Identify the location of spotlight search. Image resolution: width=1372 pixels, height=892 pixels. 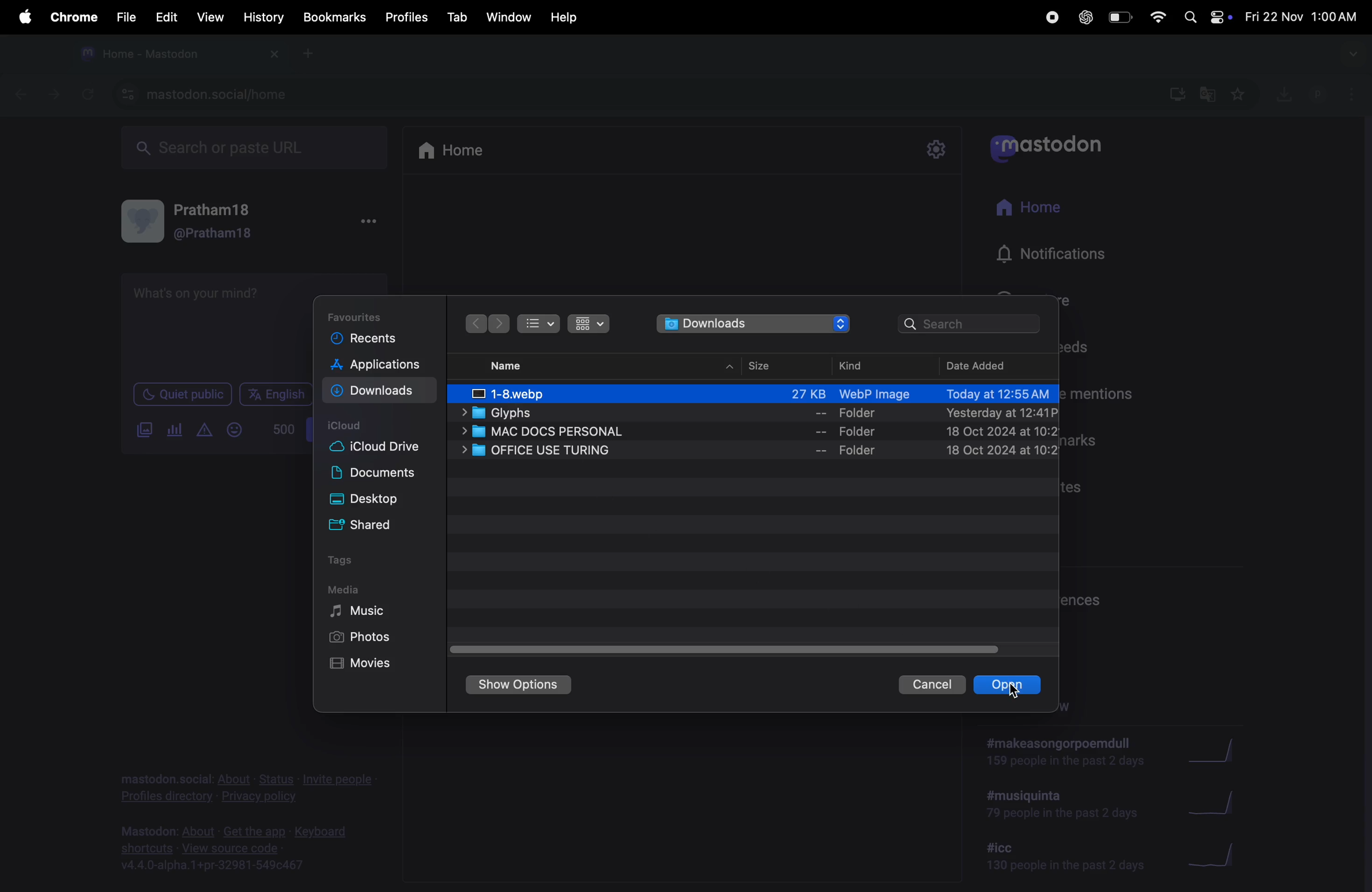
(1188, 18).